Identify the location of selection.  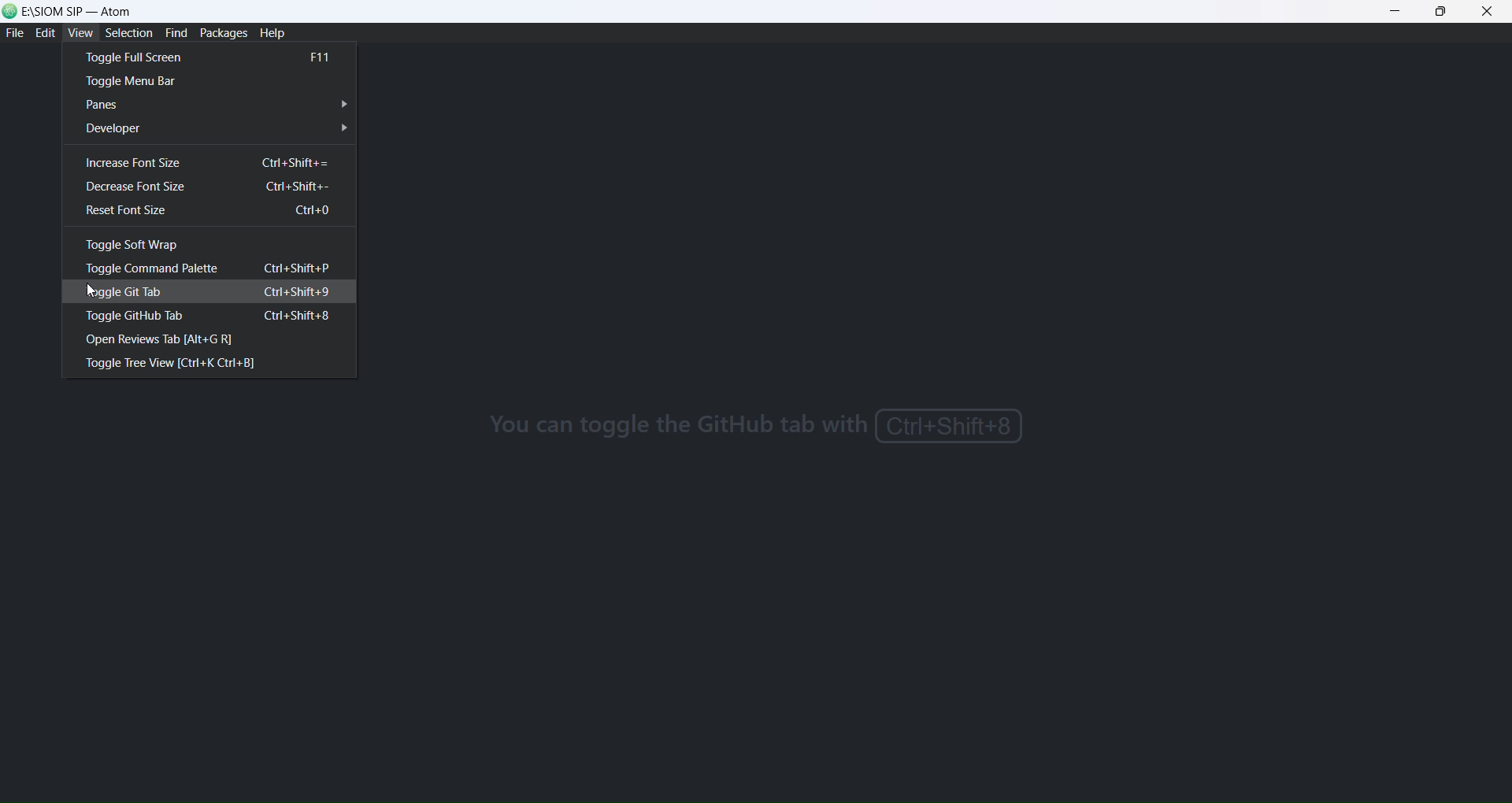
(130, 34).